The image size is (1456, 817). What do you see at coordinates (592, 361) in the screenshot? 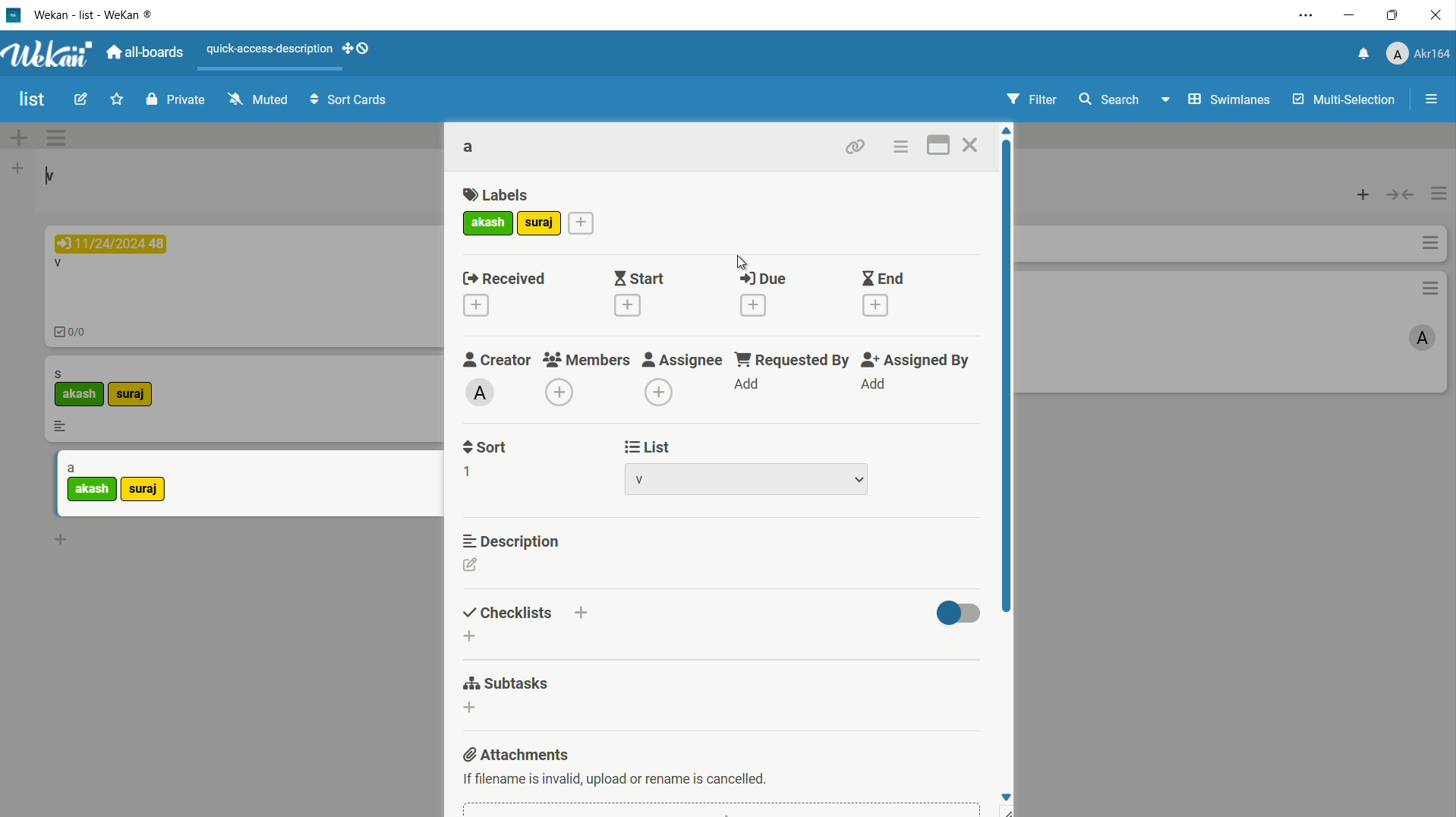
I see `members` at bounding box center [592, 361].